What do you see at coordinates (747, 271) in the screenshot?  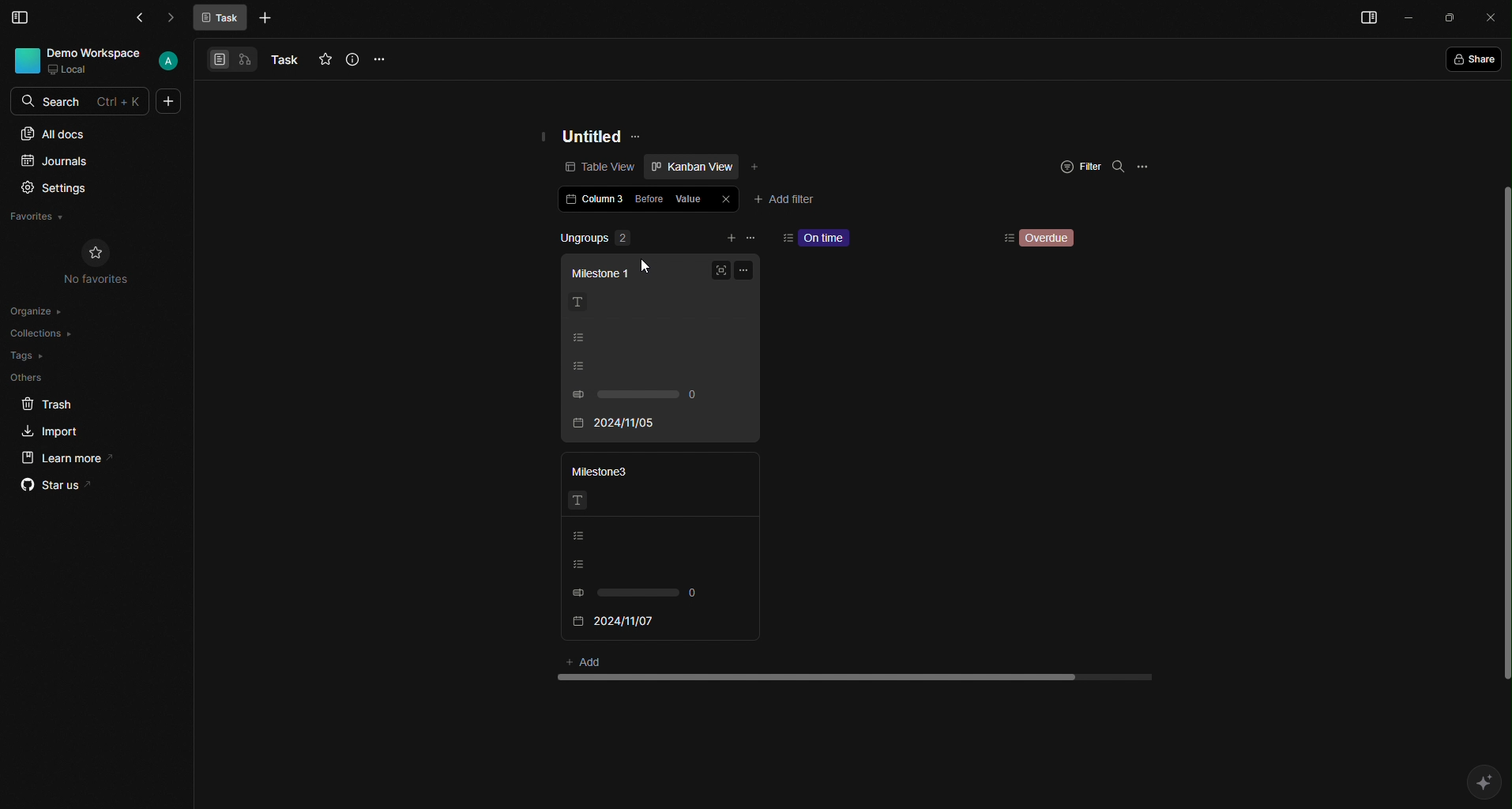 I see `Options` at bounding box center [747, 271].